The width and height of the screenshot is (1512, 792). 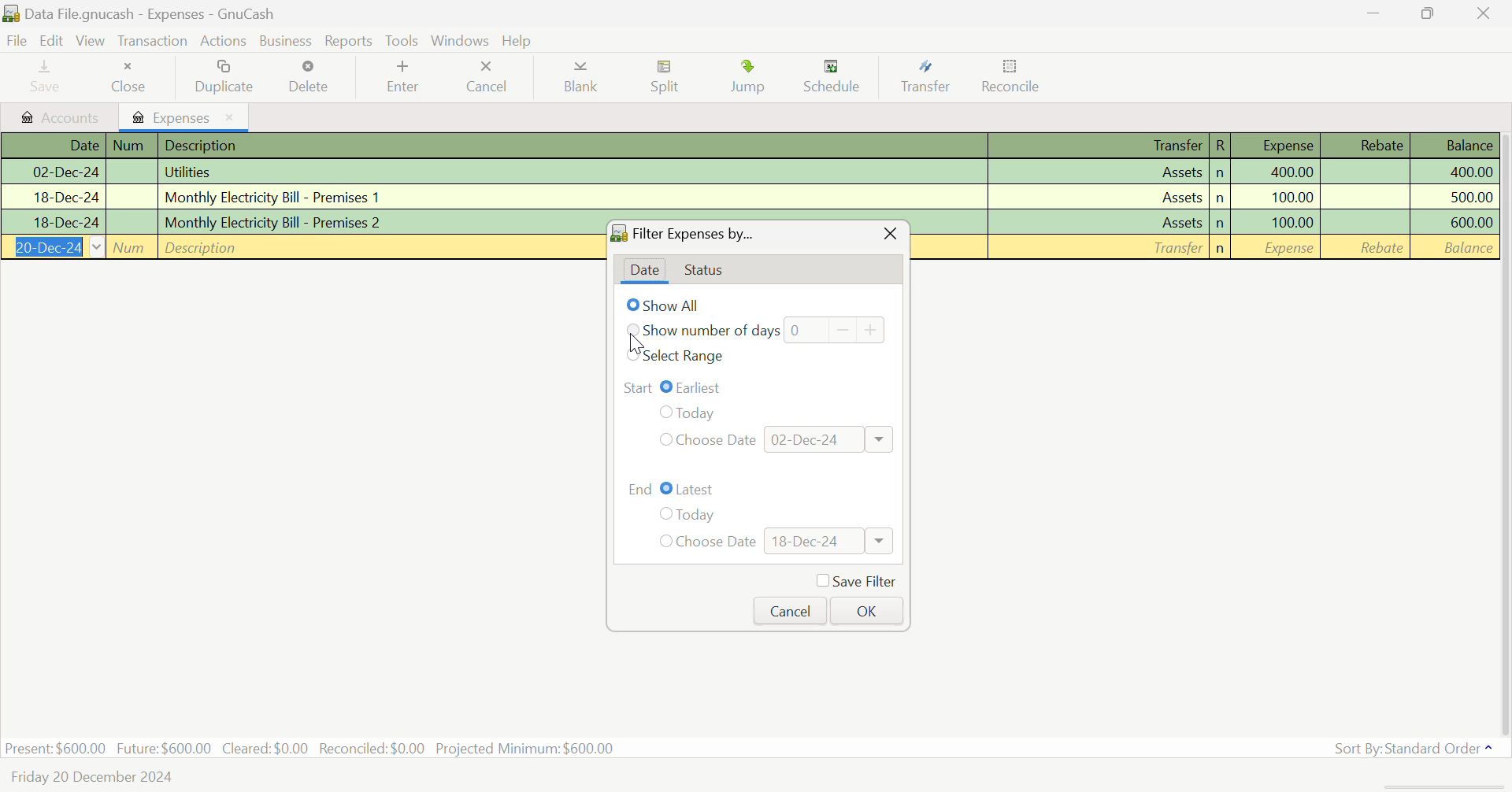 What do you see at coordinates (1097, 247) in the screenshot?
I see `Transfer` at bounding box center [1097, 247].